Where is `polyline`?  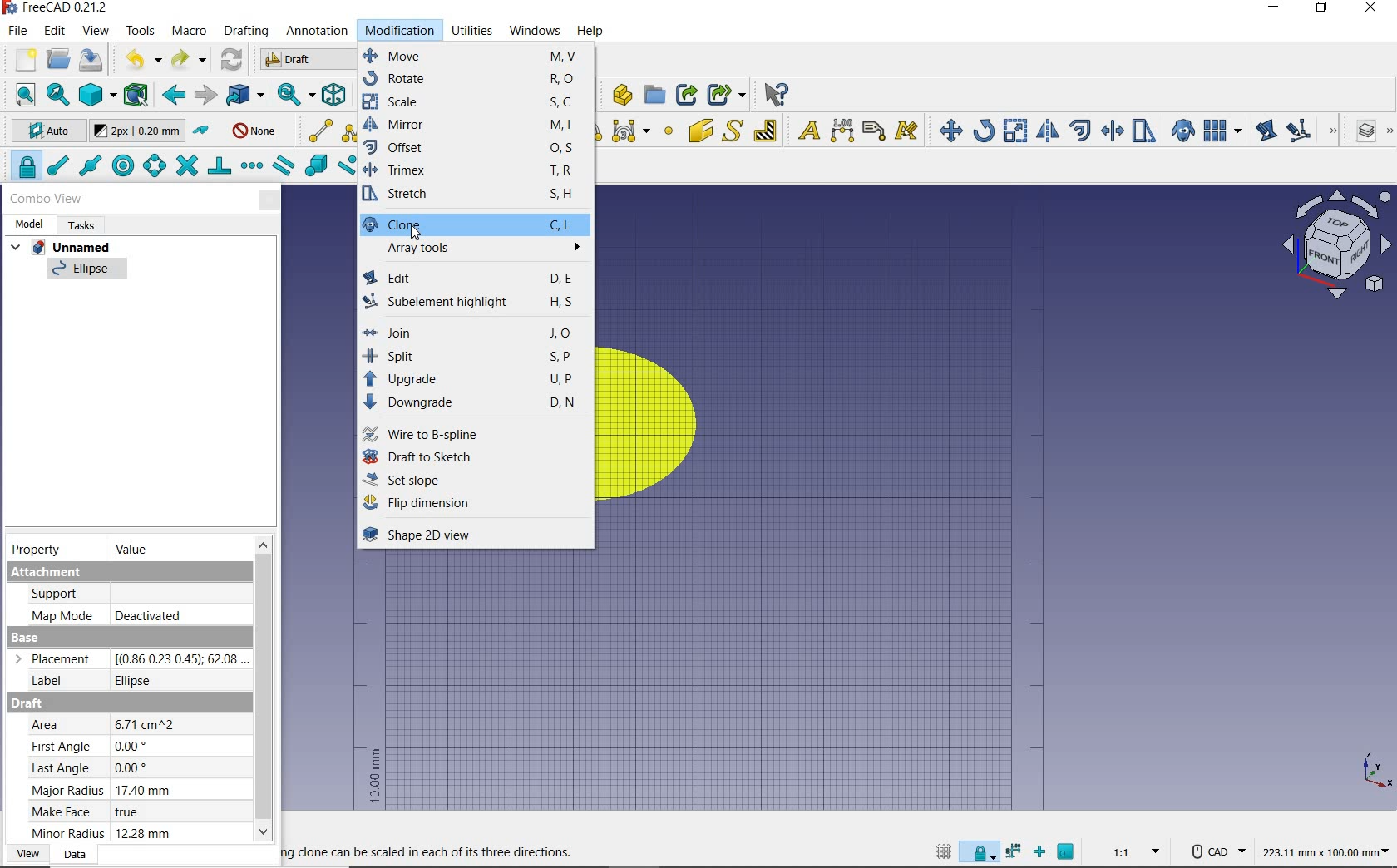
polyline is located at coordinates (352, 131).